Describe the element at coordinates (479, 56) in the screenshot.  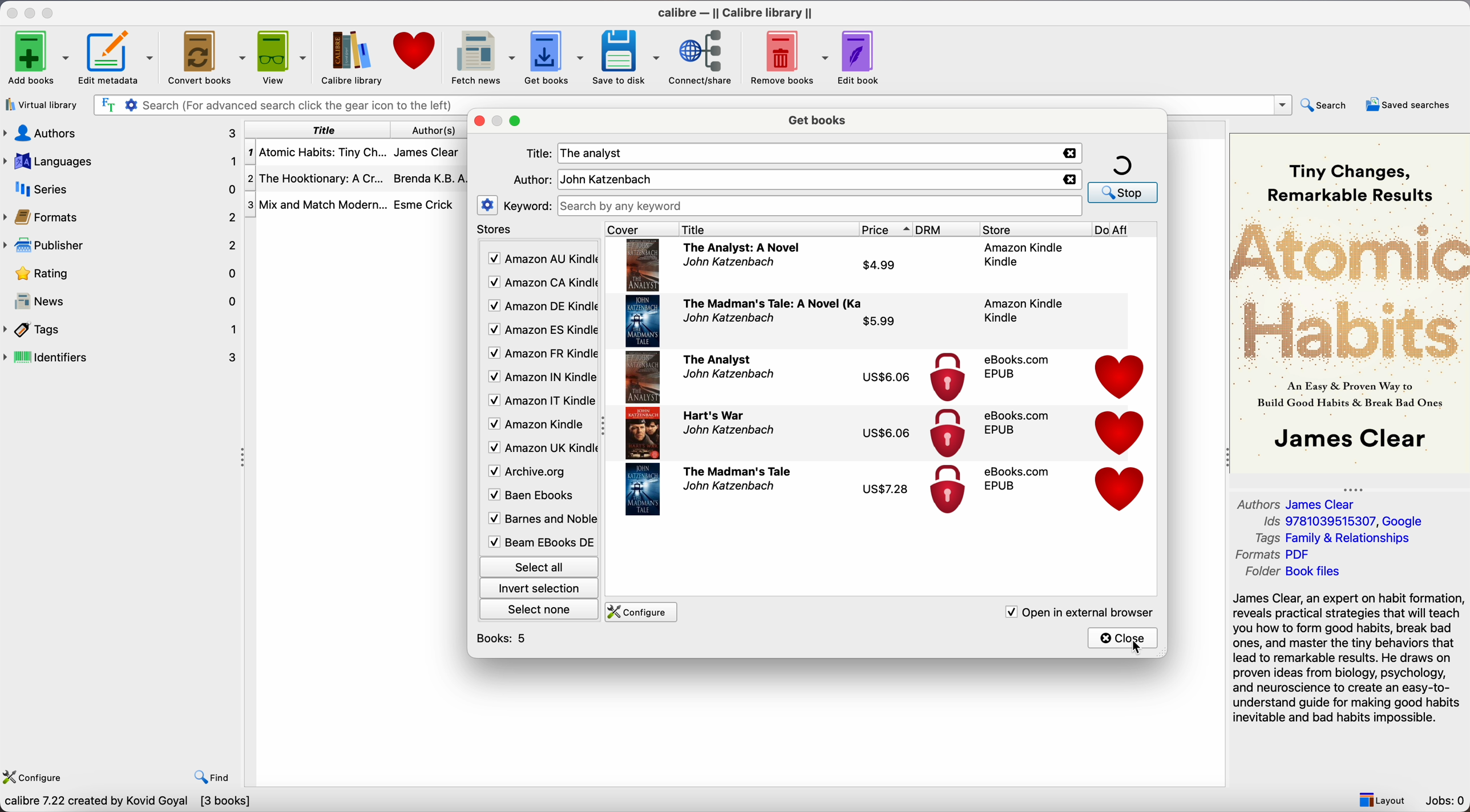
I see `fetch news` at that location.